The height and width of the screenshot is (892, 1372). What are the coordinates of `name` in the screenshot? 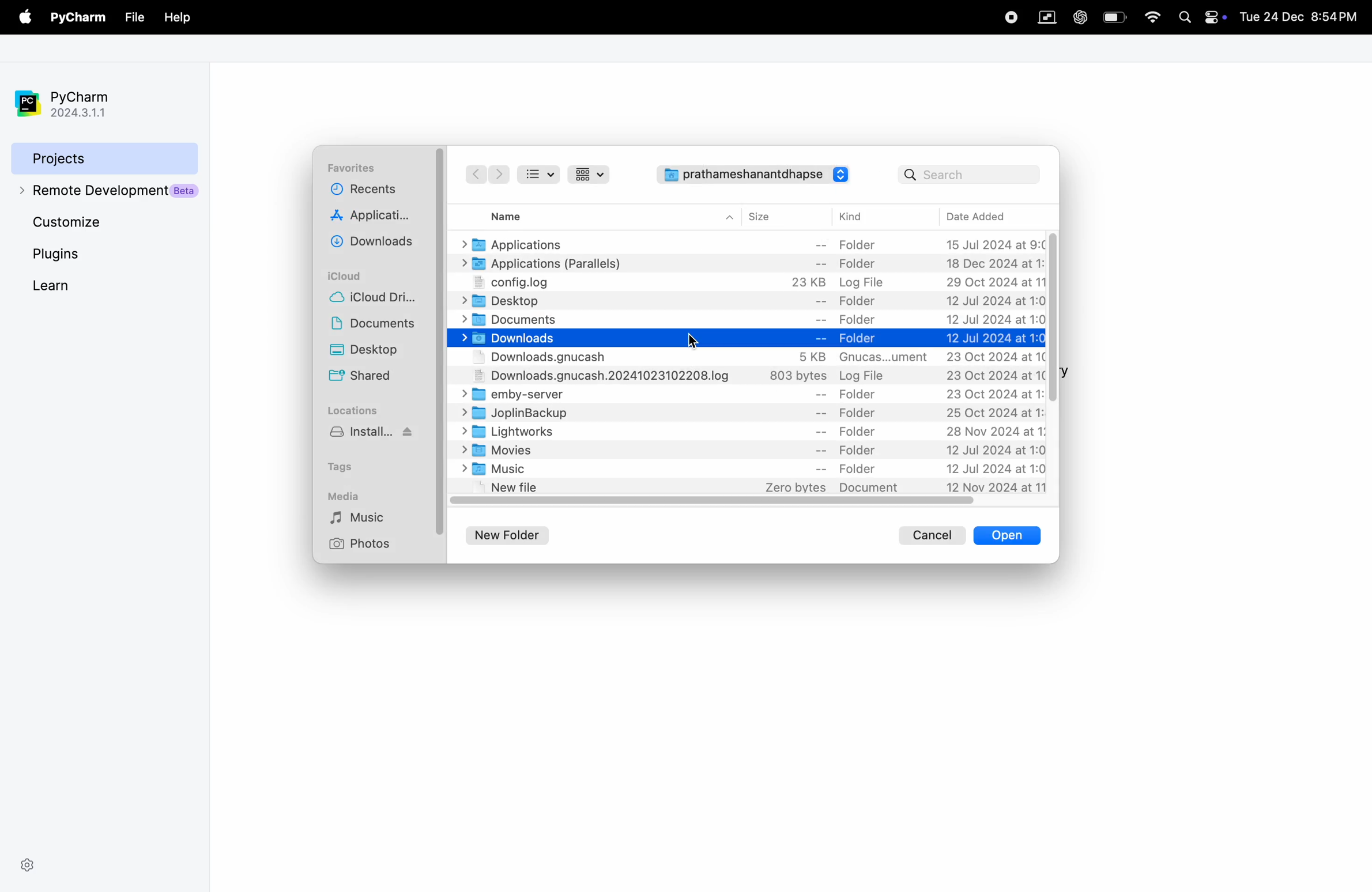 It's located at (517, 215).